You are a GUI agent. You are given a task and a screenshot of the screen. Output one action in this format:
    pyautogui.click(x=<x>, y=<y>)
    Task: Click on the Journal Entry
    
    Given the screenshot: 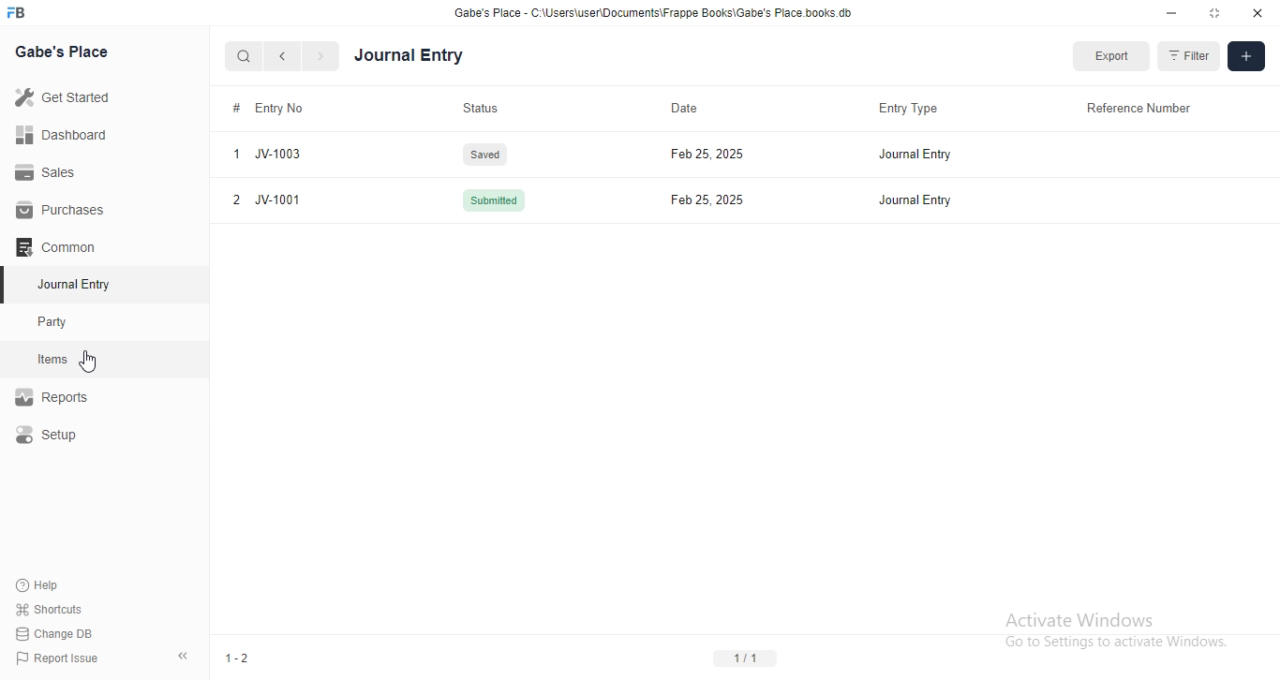 What is the action you would take?
    pyautogui.click(x=915, y=201)
    